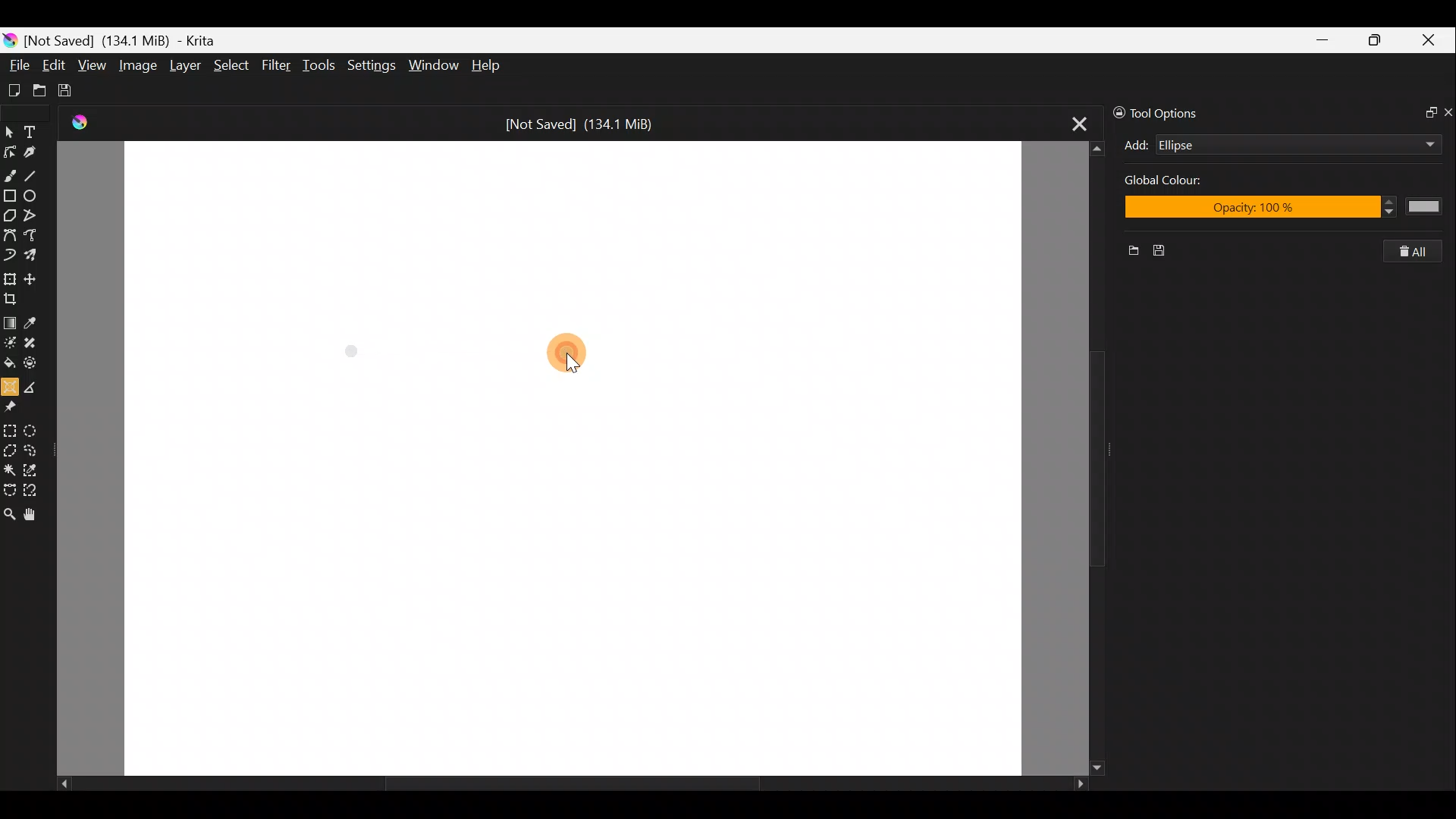  What do you see at coordinates (277, 67) in the screenshot?
I see `Filter` at bounding box center [277, 67].